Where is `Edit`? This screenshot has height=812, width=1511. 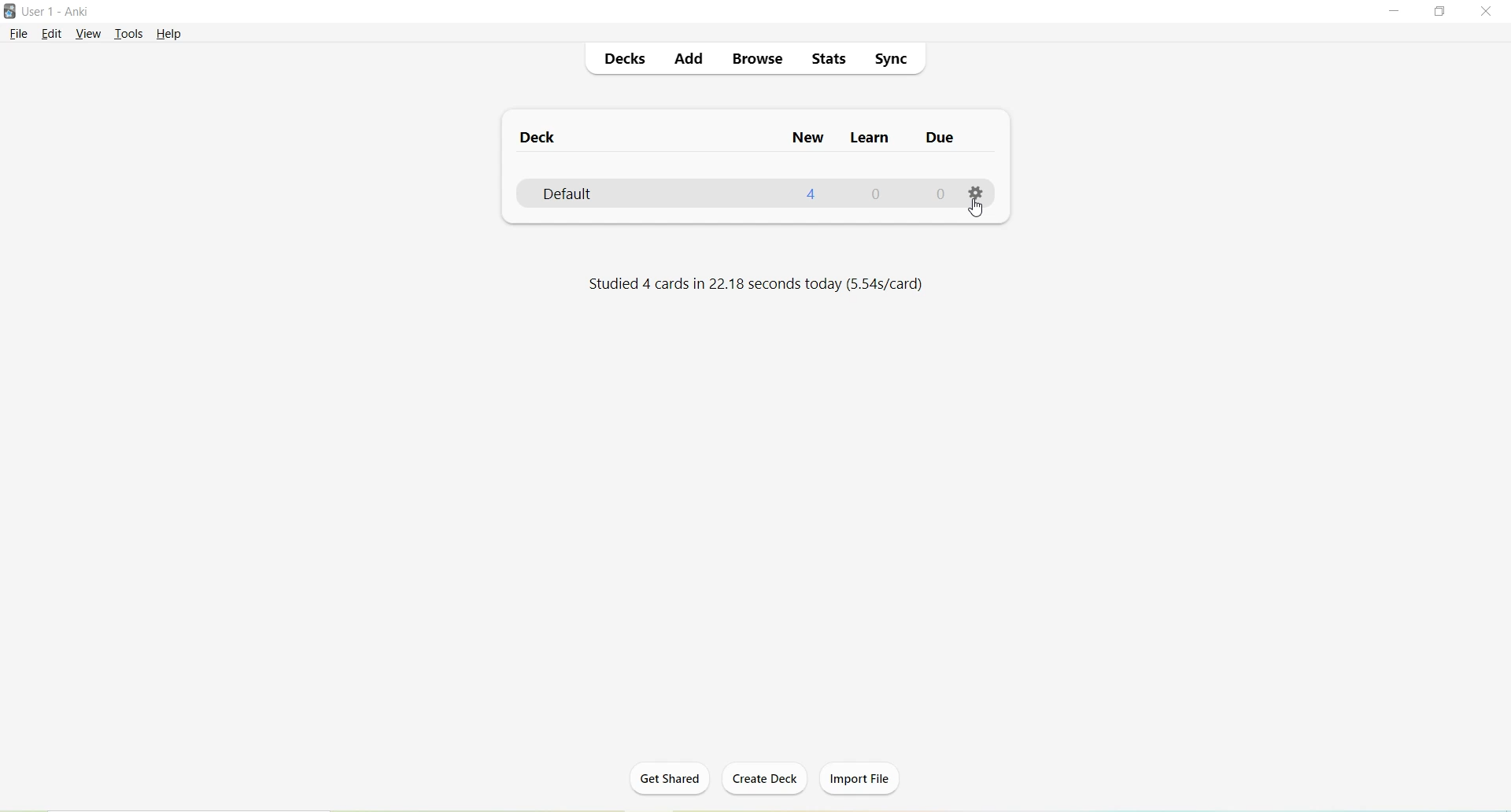
Edit is located at coordinates (53, 33).